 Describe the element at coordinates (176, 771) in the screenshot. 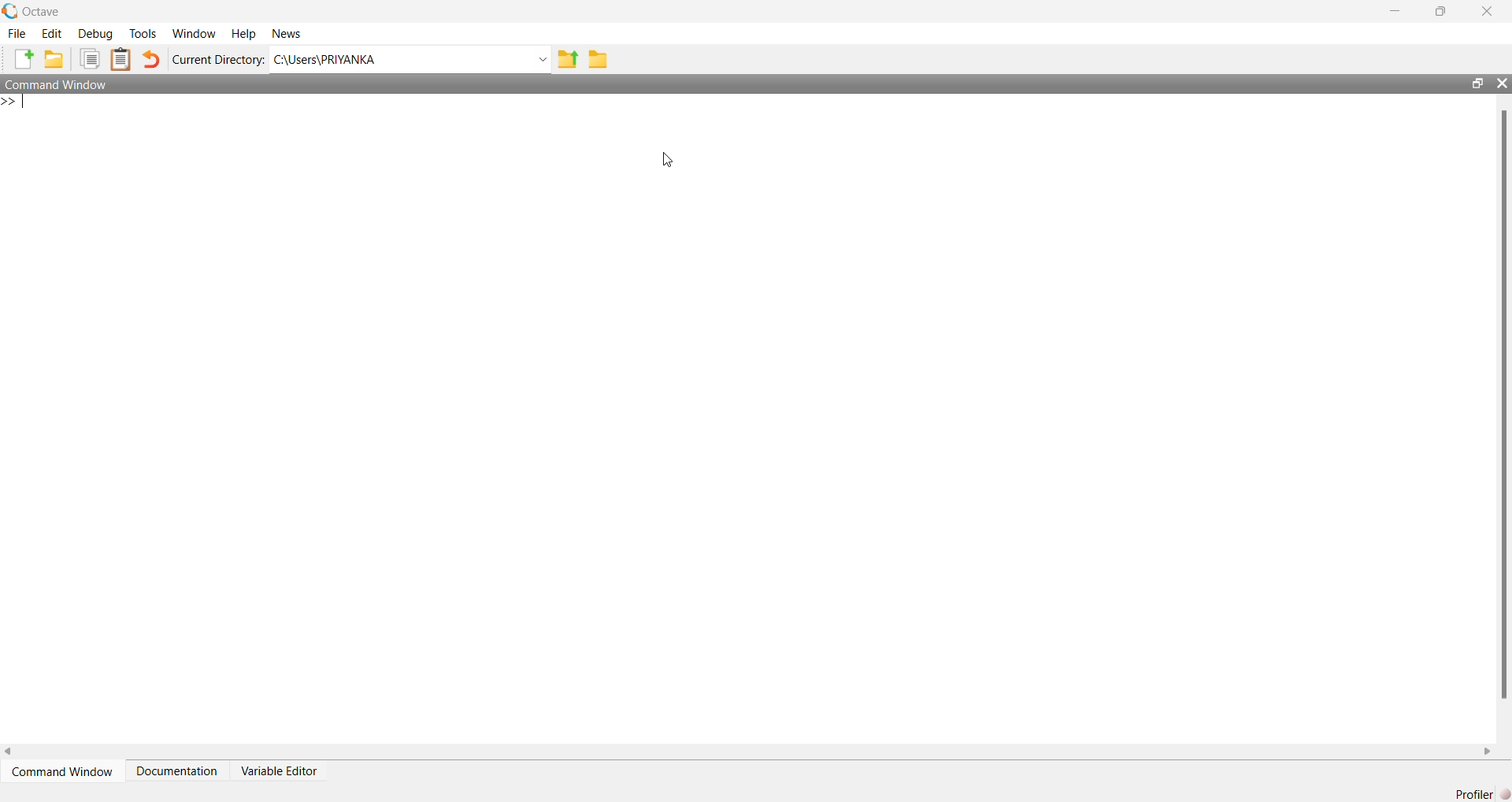

I see `Documentation` at that location.